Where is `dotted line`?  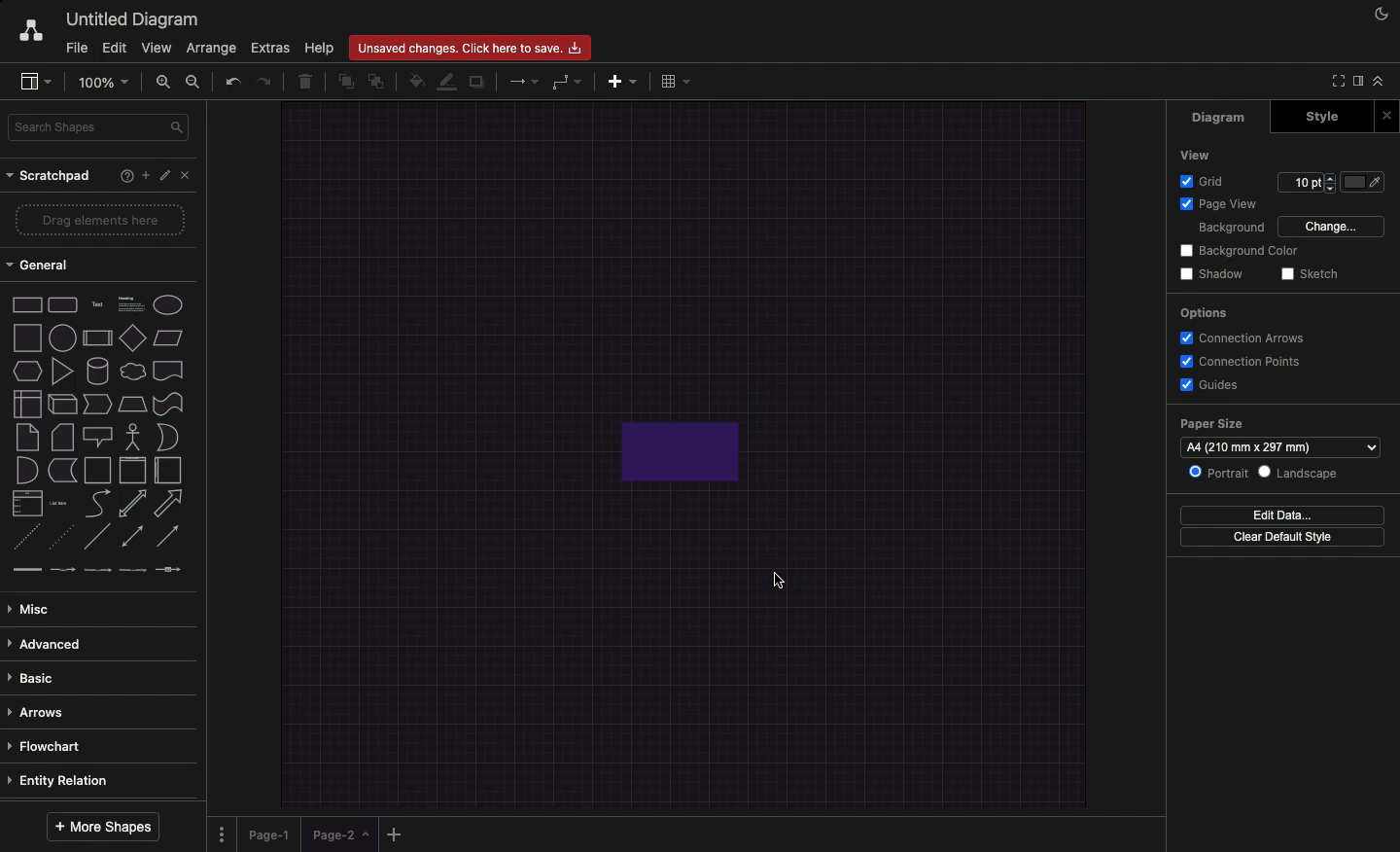 dotted line is located at coordinates (64, 539).